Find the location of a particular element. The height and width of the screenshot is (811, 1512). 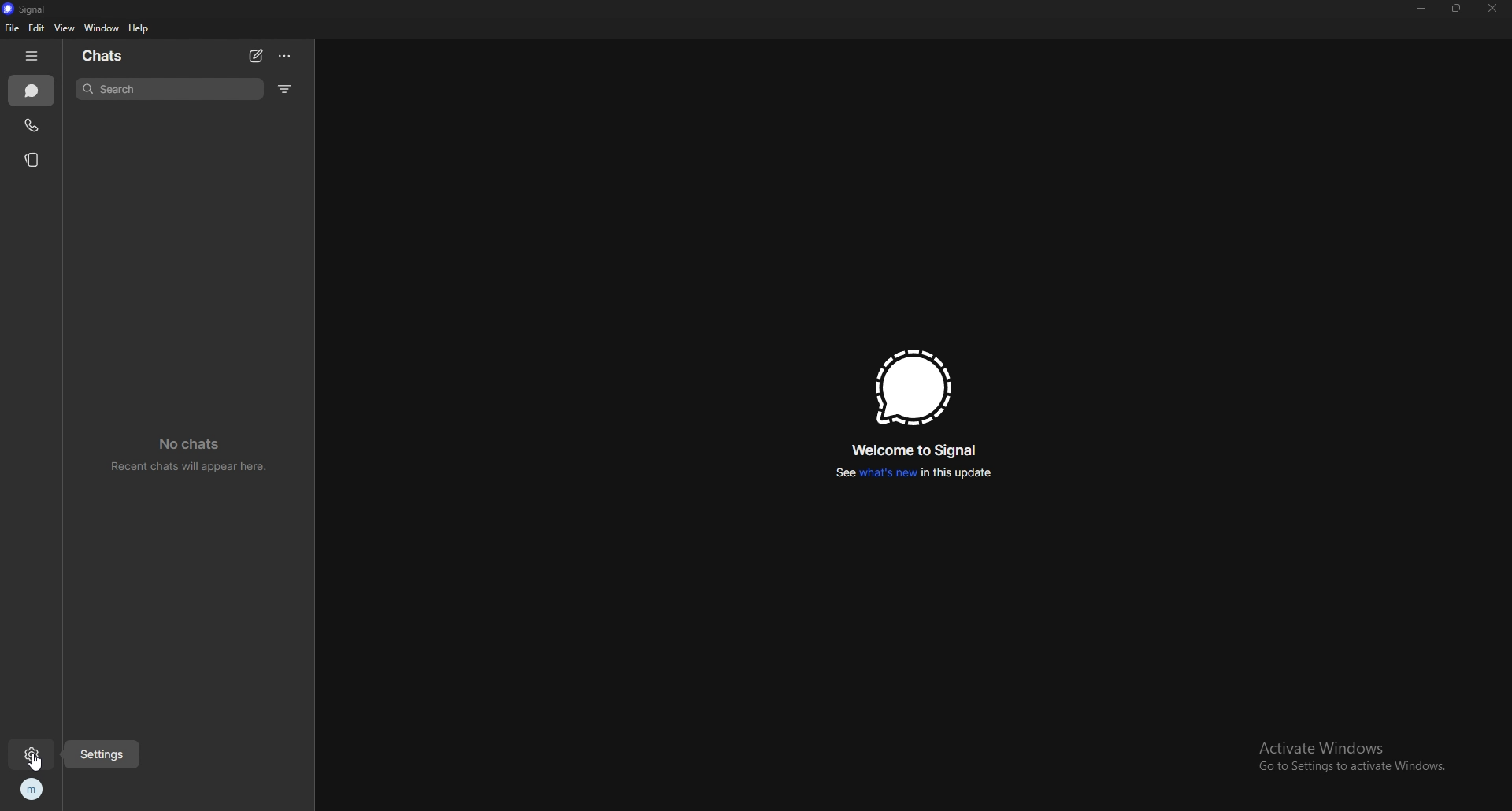

minimize is located at coordinates (1421, 8).